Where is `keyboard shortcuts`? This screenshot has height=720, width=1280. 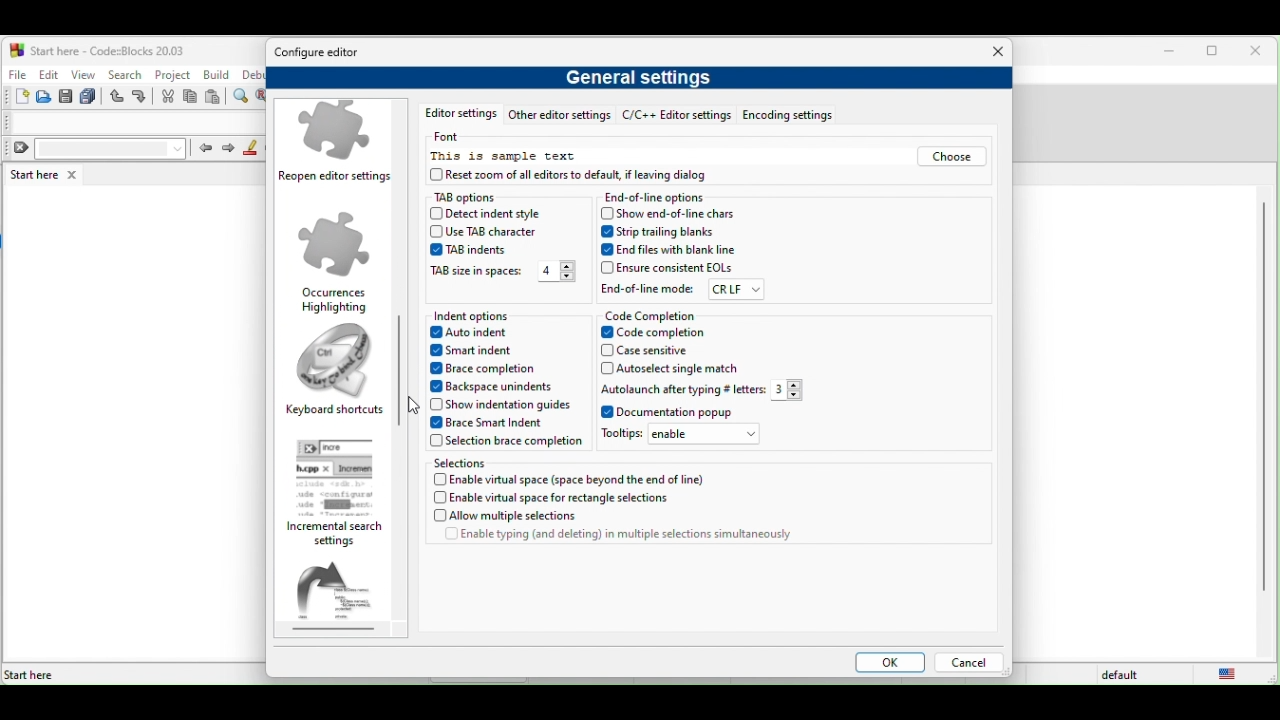
keyboard shortcuts is located at coordinates (335, 373).